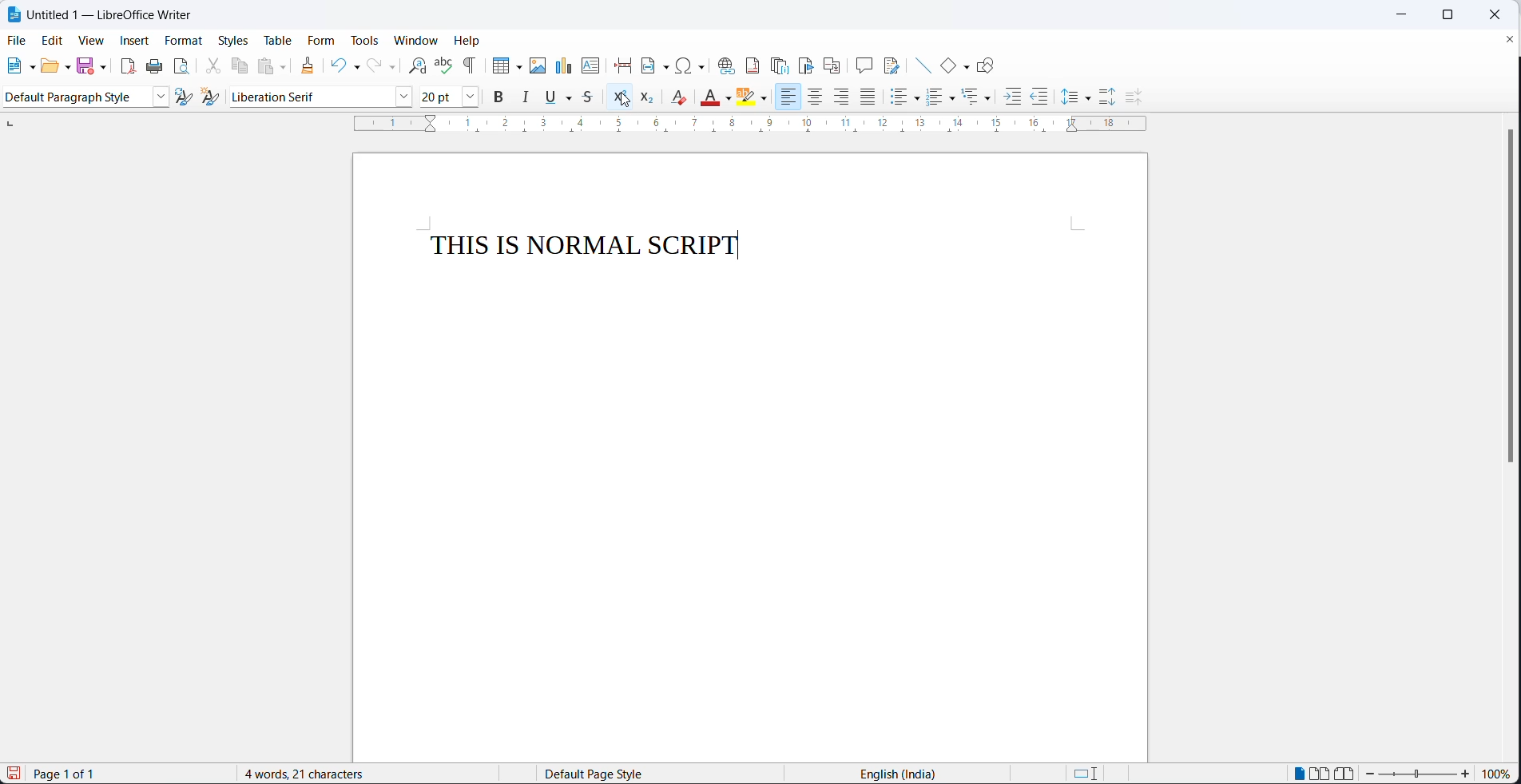 The width and height of the screenshot is (1521, 784). What do you see at coordinates (897, 100) in the screenshot?
I see `toggle unordered list` at bounding box center [897, 100].